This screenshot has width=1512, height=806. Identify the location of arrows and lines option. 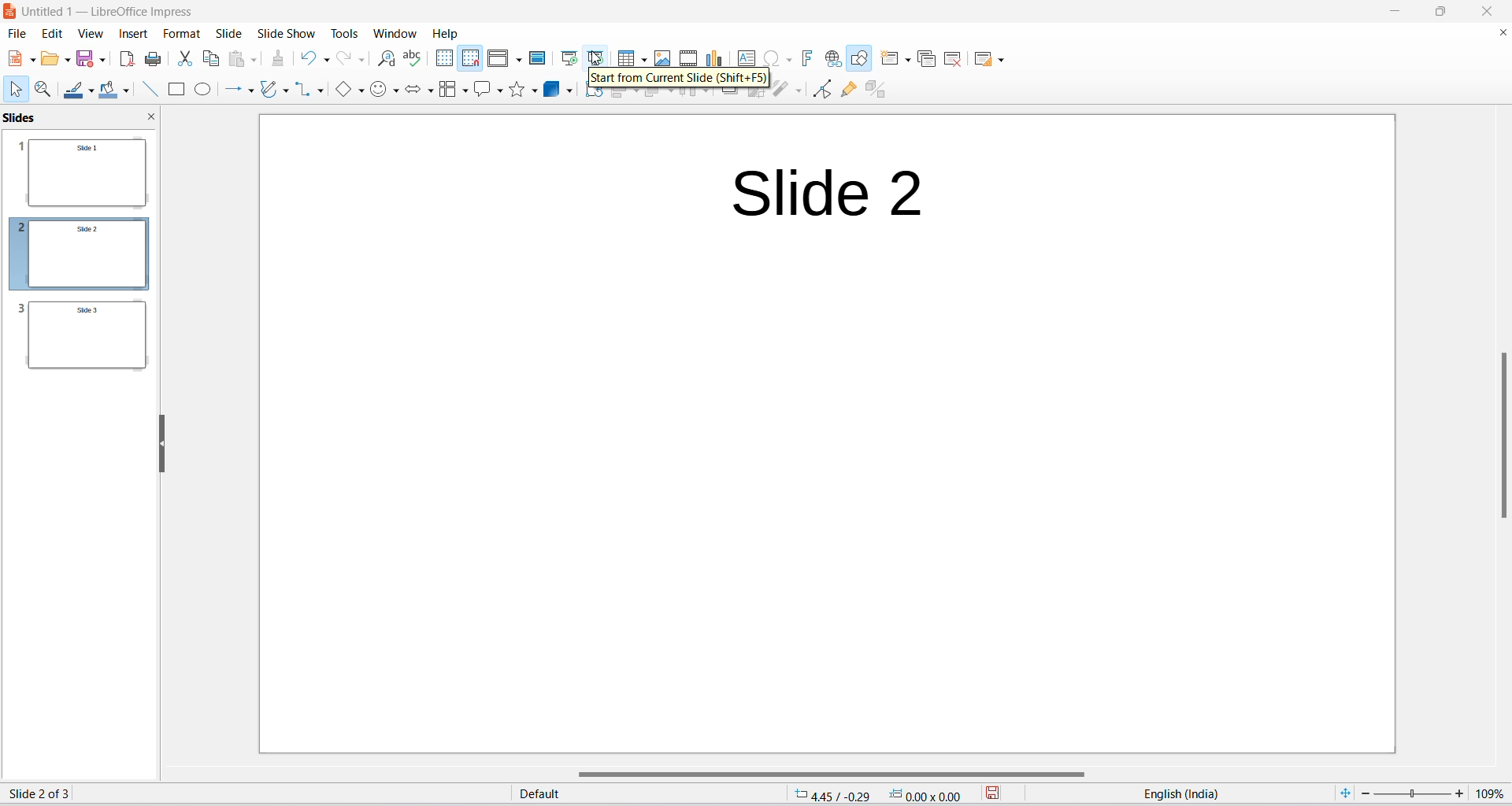
(250, 89).